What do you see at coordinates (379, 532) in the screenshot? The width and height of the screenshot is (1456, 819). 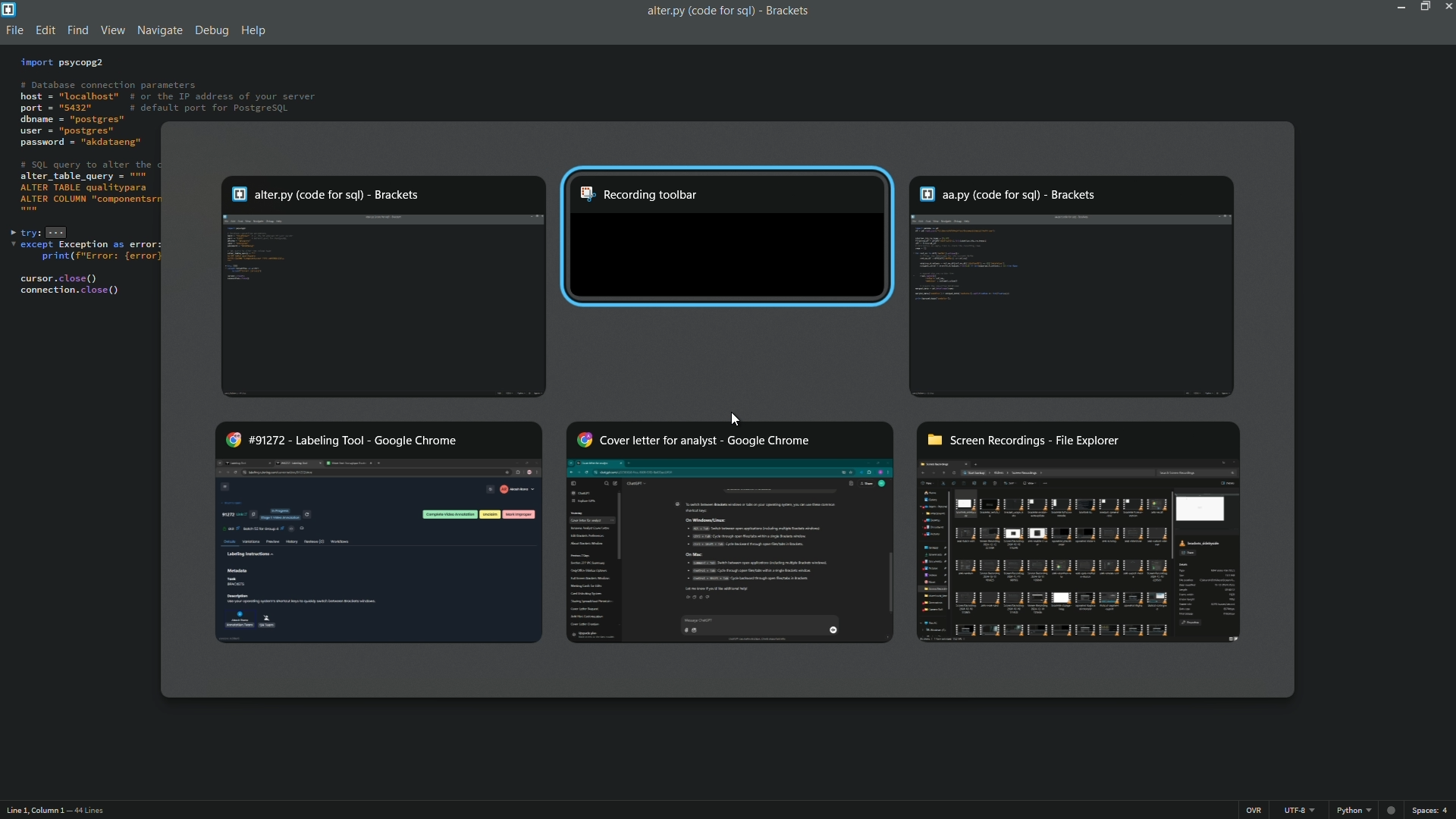 I see `#91272 - labeling tool - Google Chrome ` at bounding box center [379, 532].